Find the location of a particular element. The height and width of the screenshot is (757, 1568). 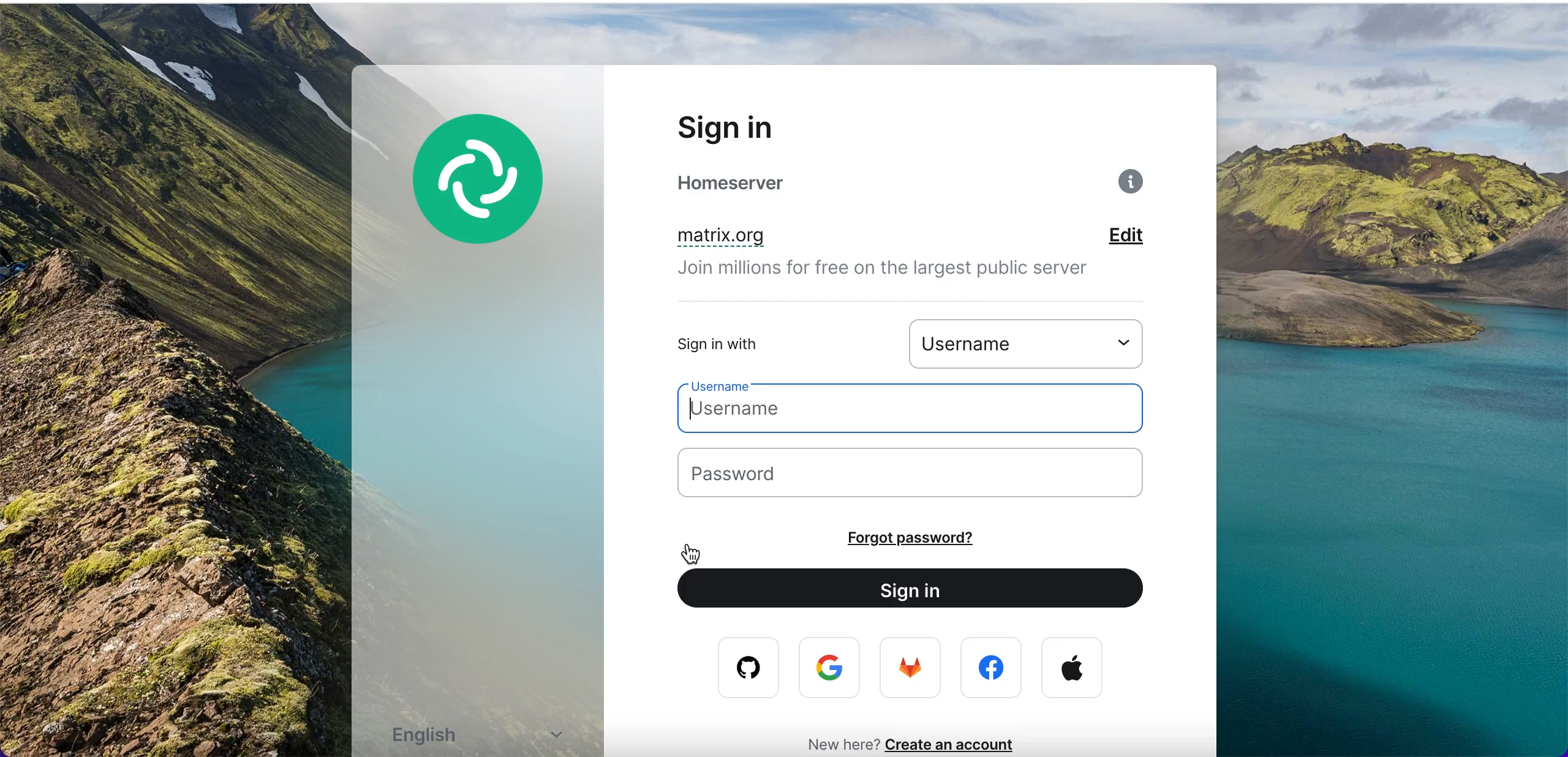

username is located at coordinates (922, 409).